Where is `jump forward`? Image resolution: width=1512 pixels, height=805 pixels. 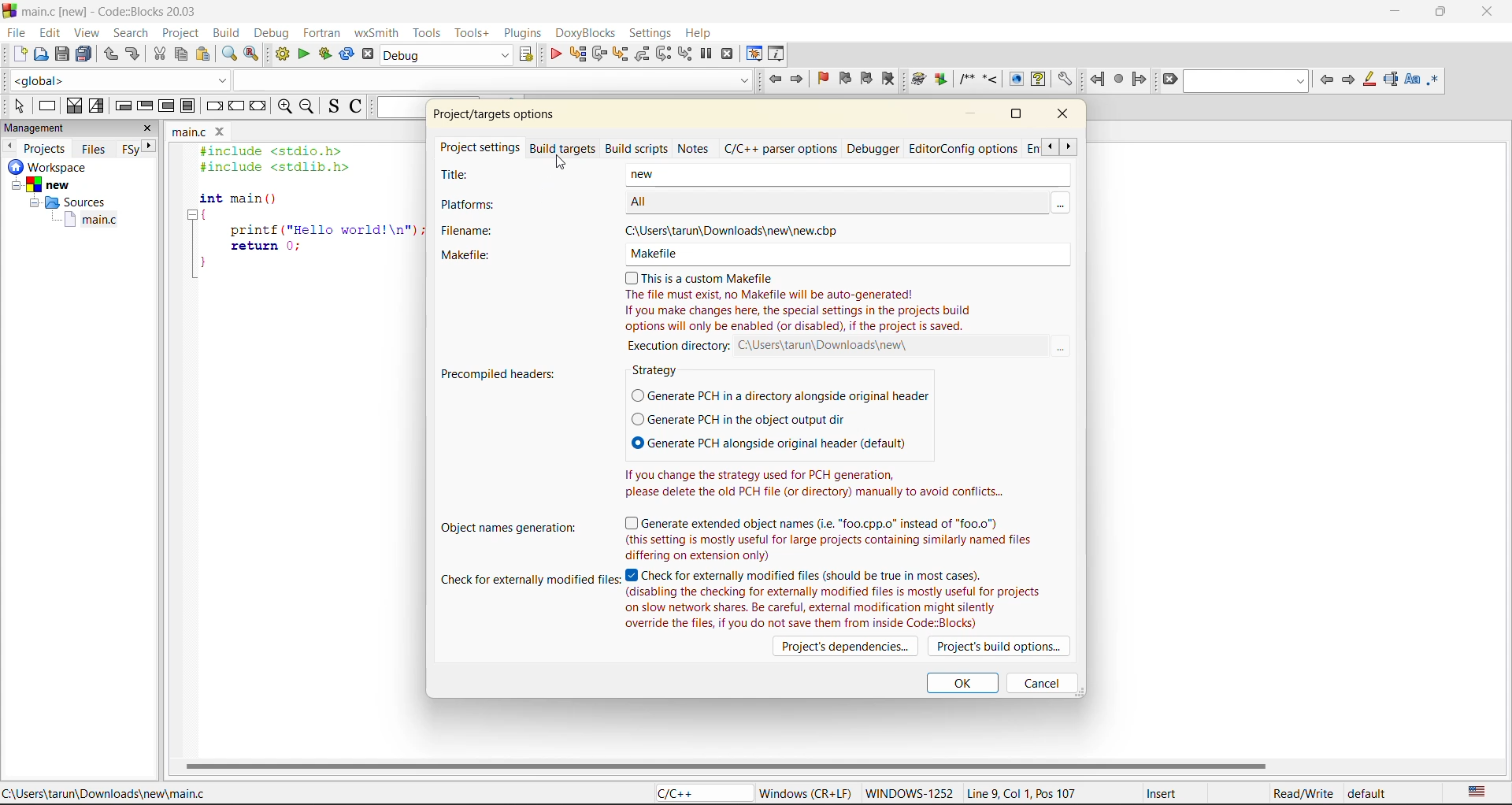 jump forward is located at coordinates (1140, 81).